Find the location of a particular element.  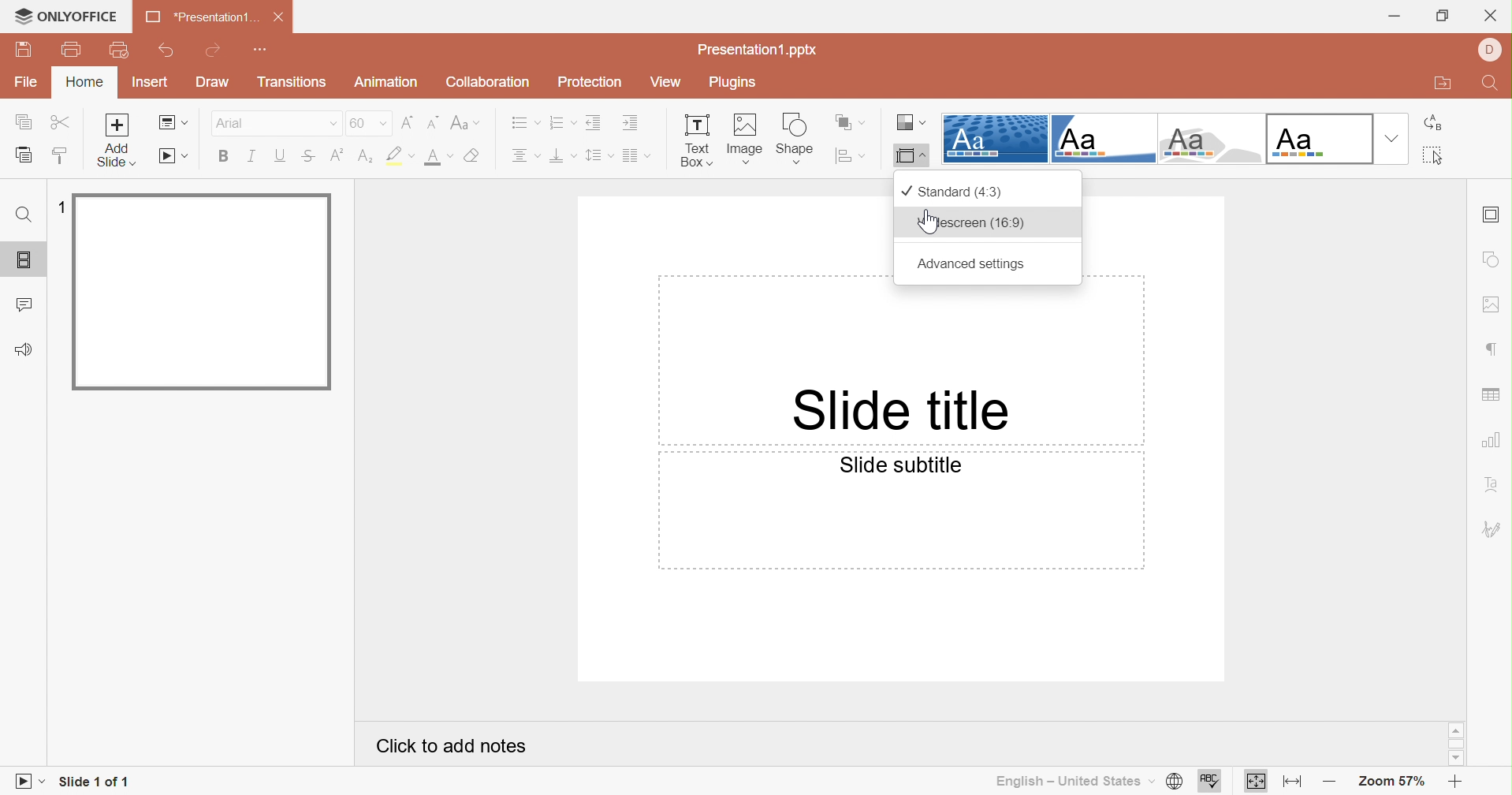

Numbering is located at coordinates (560, 121).